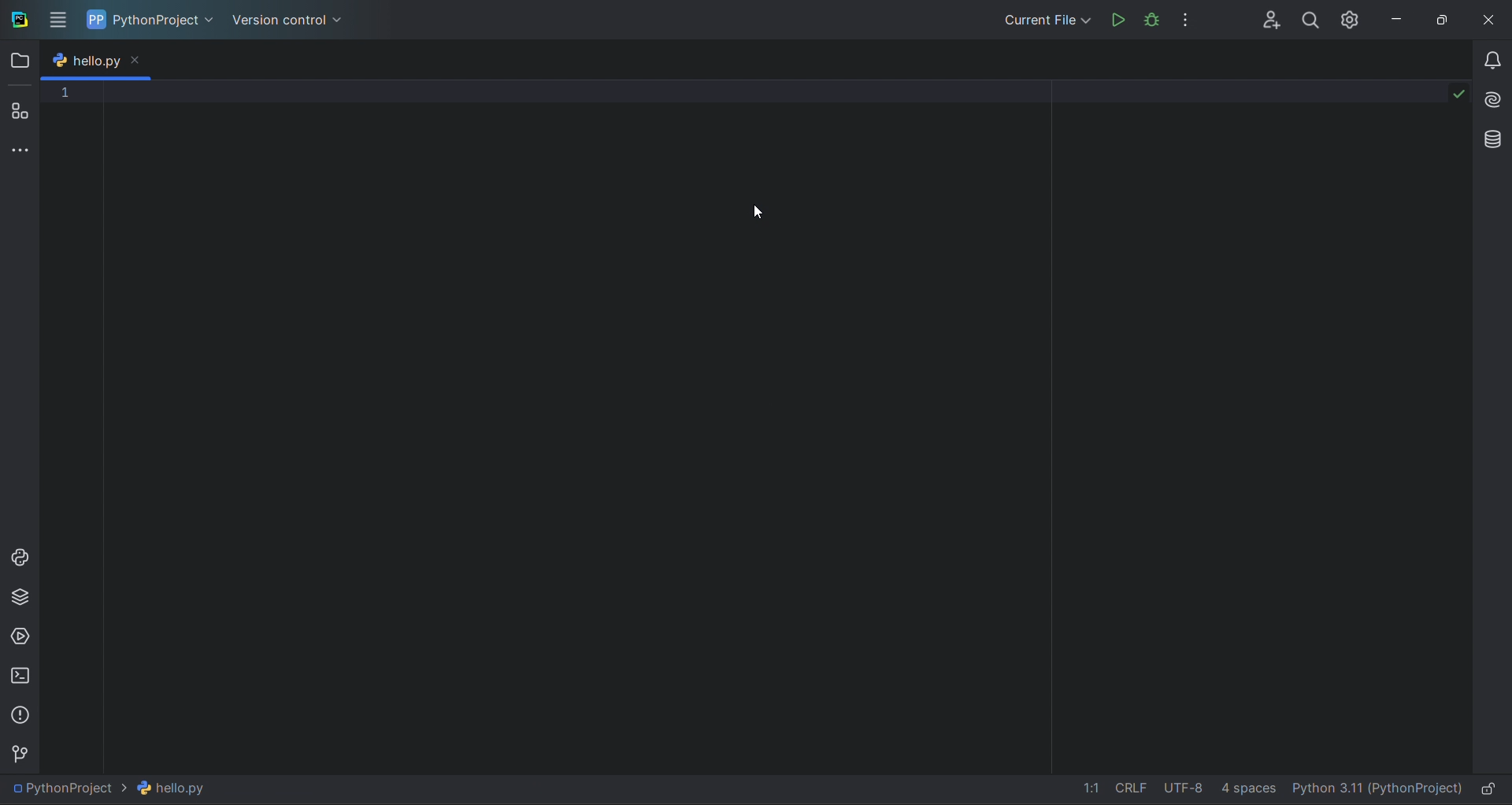 Image resolution: width=1512 pixels, height=805 pixels. What do you see at coordinates (25, 107) in the screenshot?
I see `sturcture` at bounding box center [25, 107].